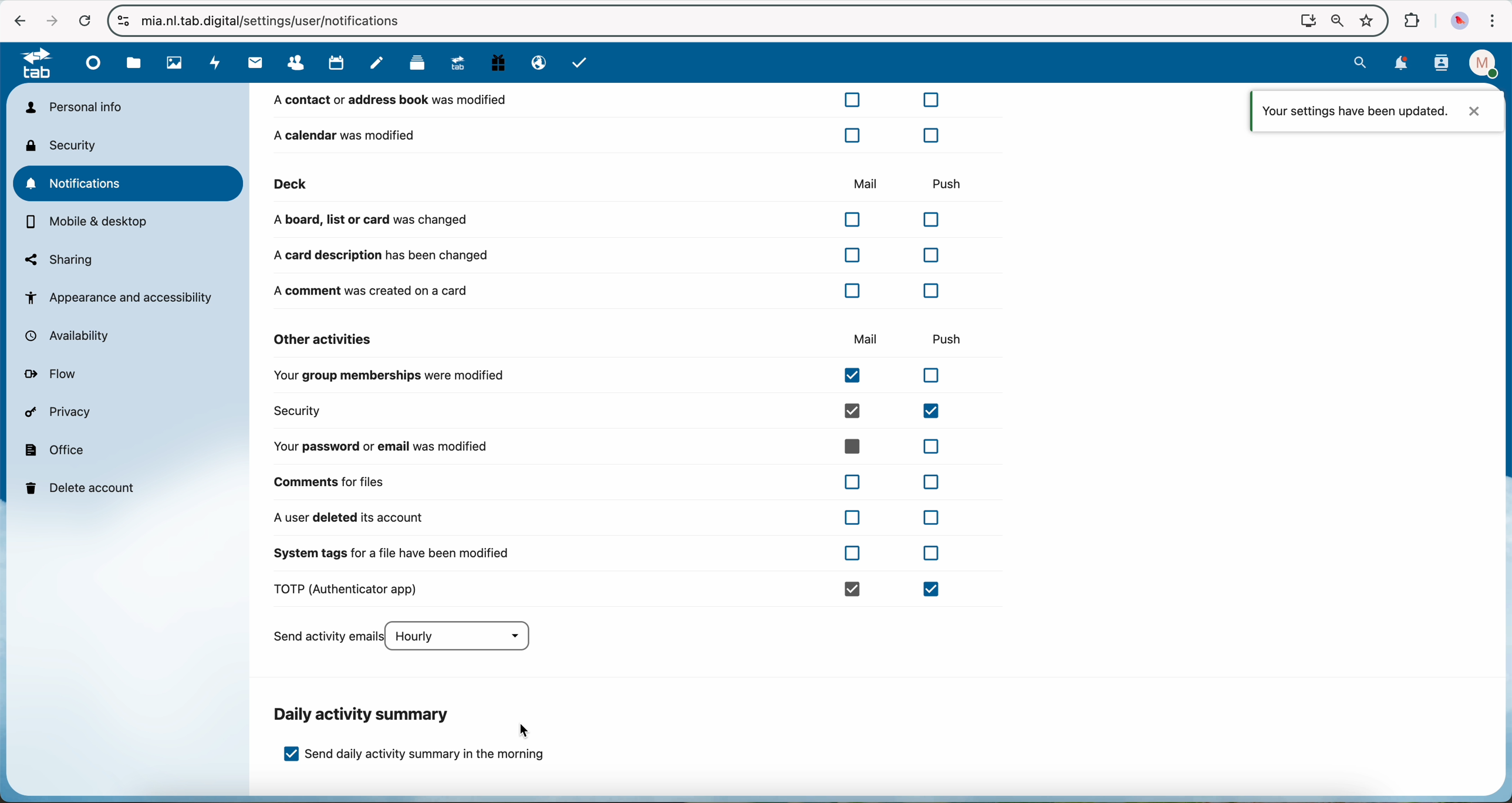 This screenshot has height=803, width=1512. I want to click on mobile and desktop, so click(89, 223).